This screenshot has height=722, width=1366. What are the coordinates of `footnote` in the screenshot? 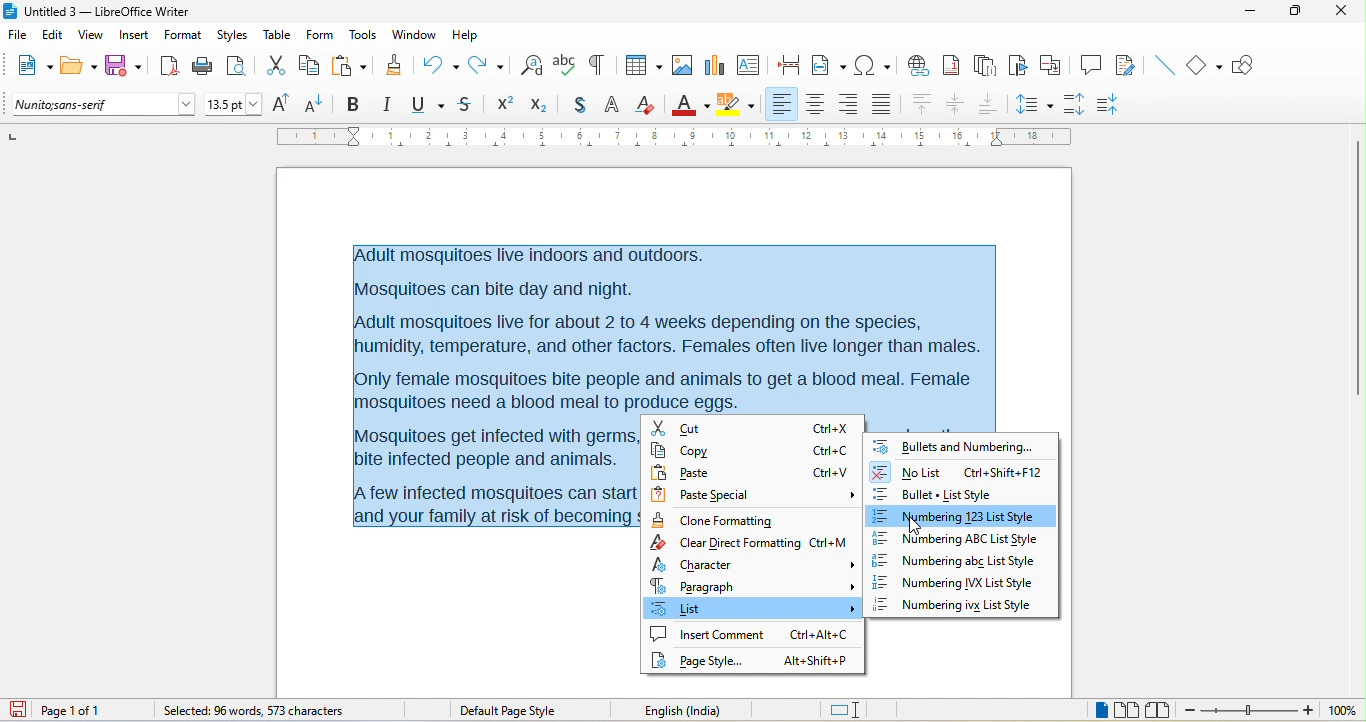 It's located at (955, 65).